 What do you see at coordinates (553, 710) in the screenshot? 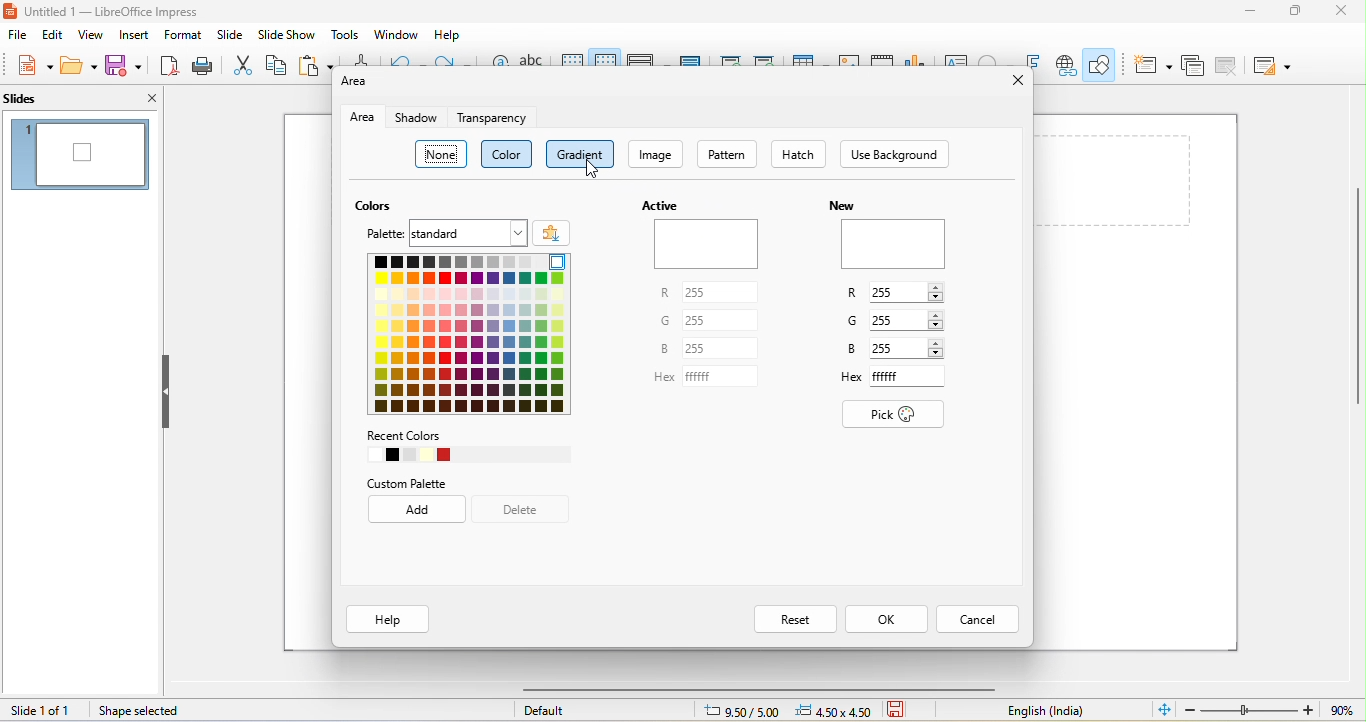
I see `default` at bounding box center [553, 710].